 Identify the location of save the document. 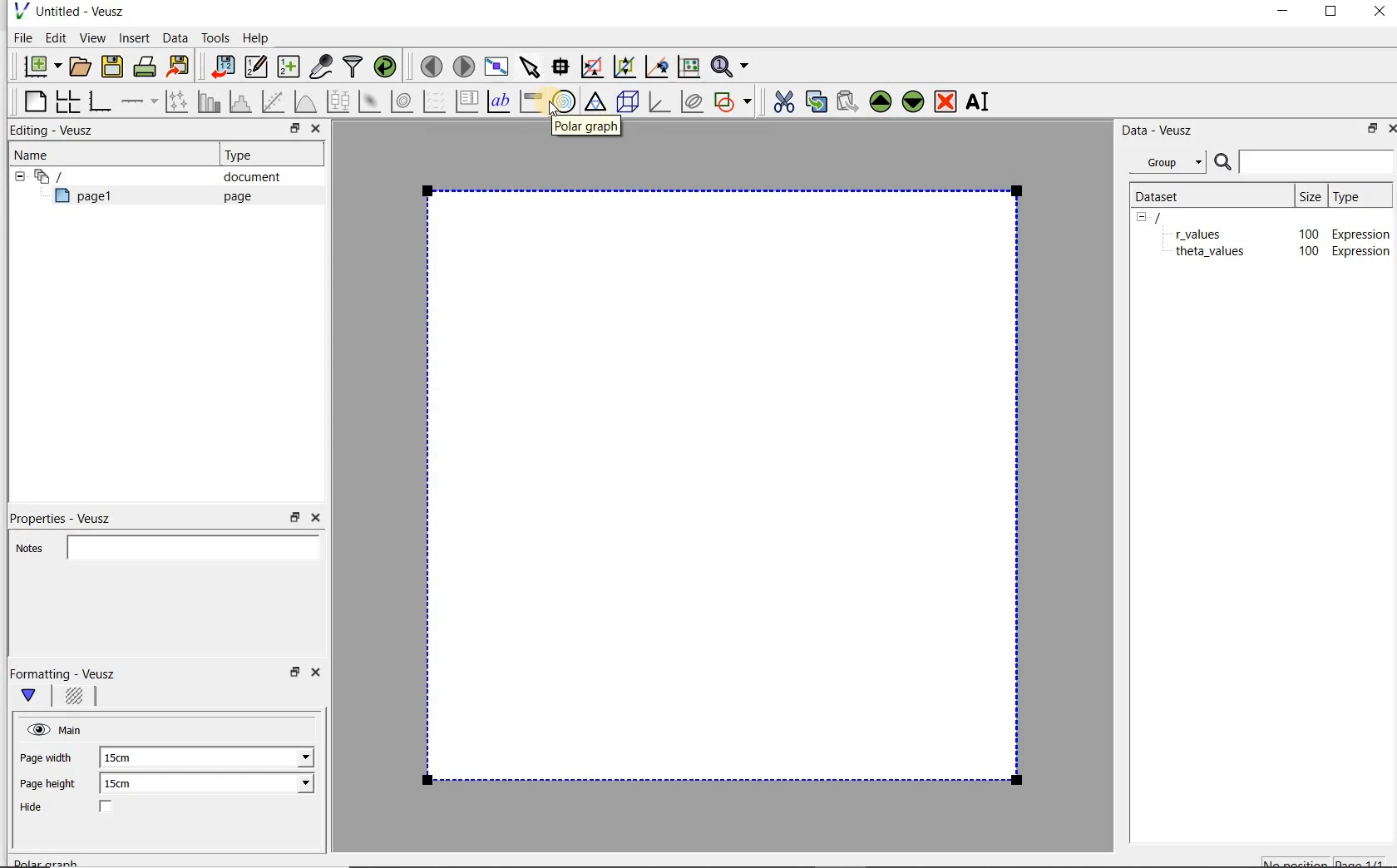
(116, 67).